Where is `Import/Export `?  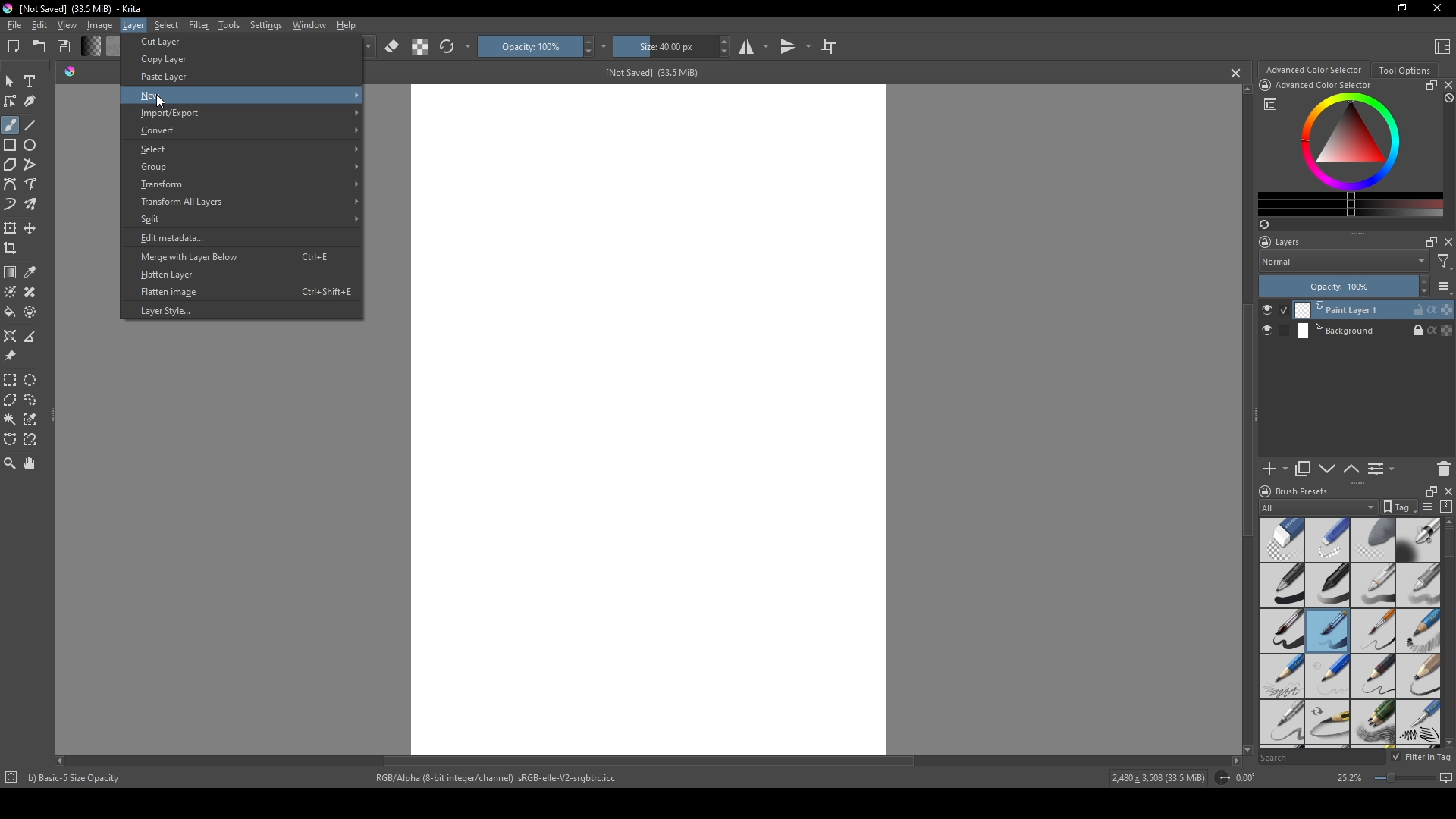
Import/Export  is located at coordinates (248, 114).